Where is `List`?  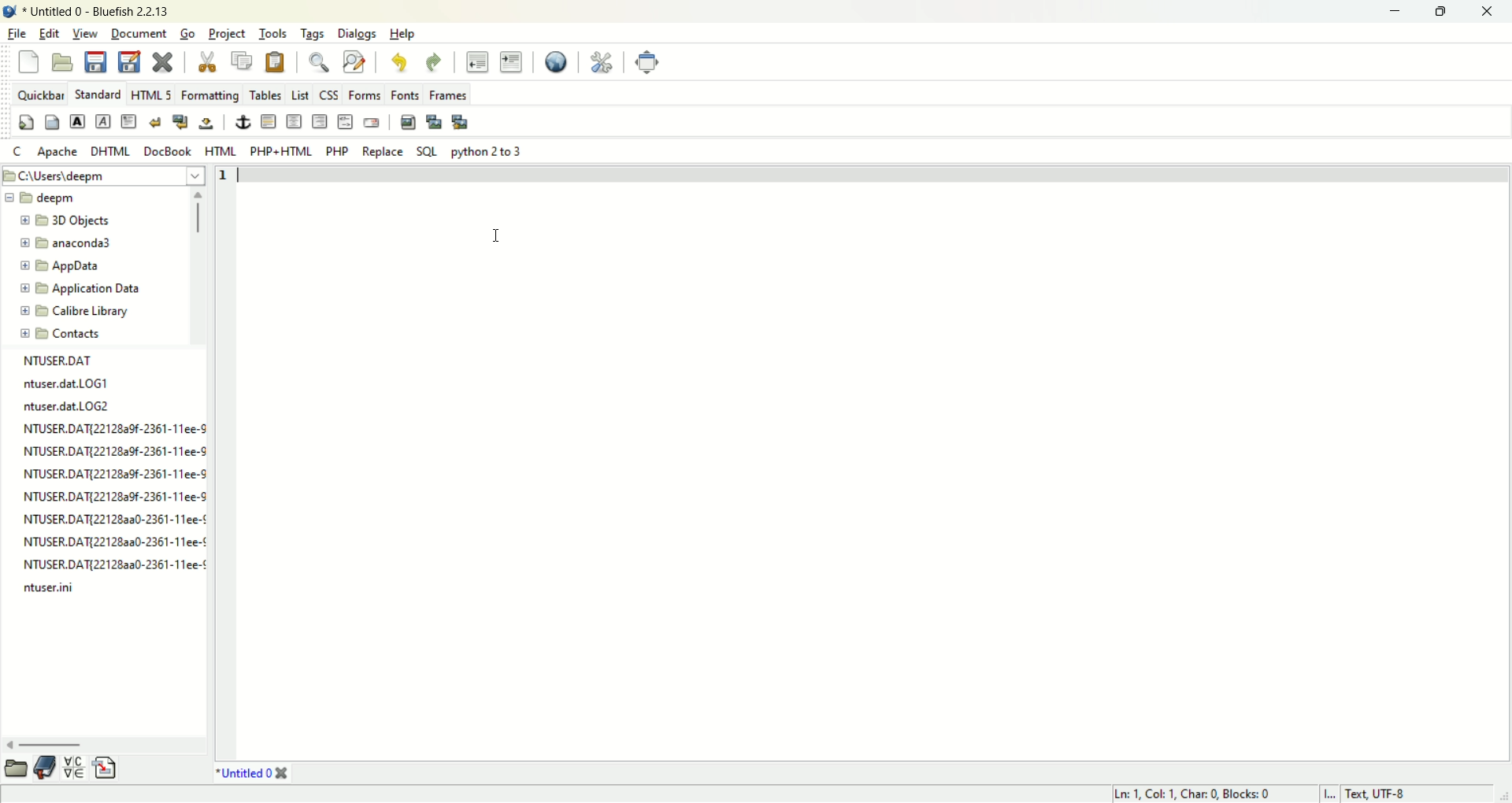
List is located at coordinates (301, 95).